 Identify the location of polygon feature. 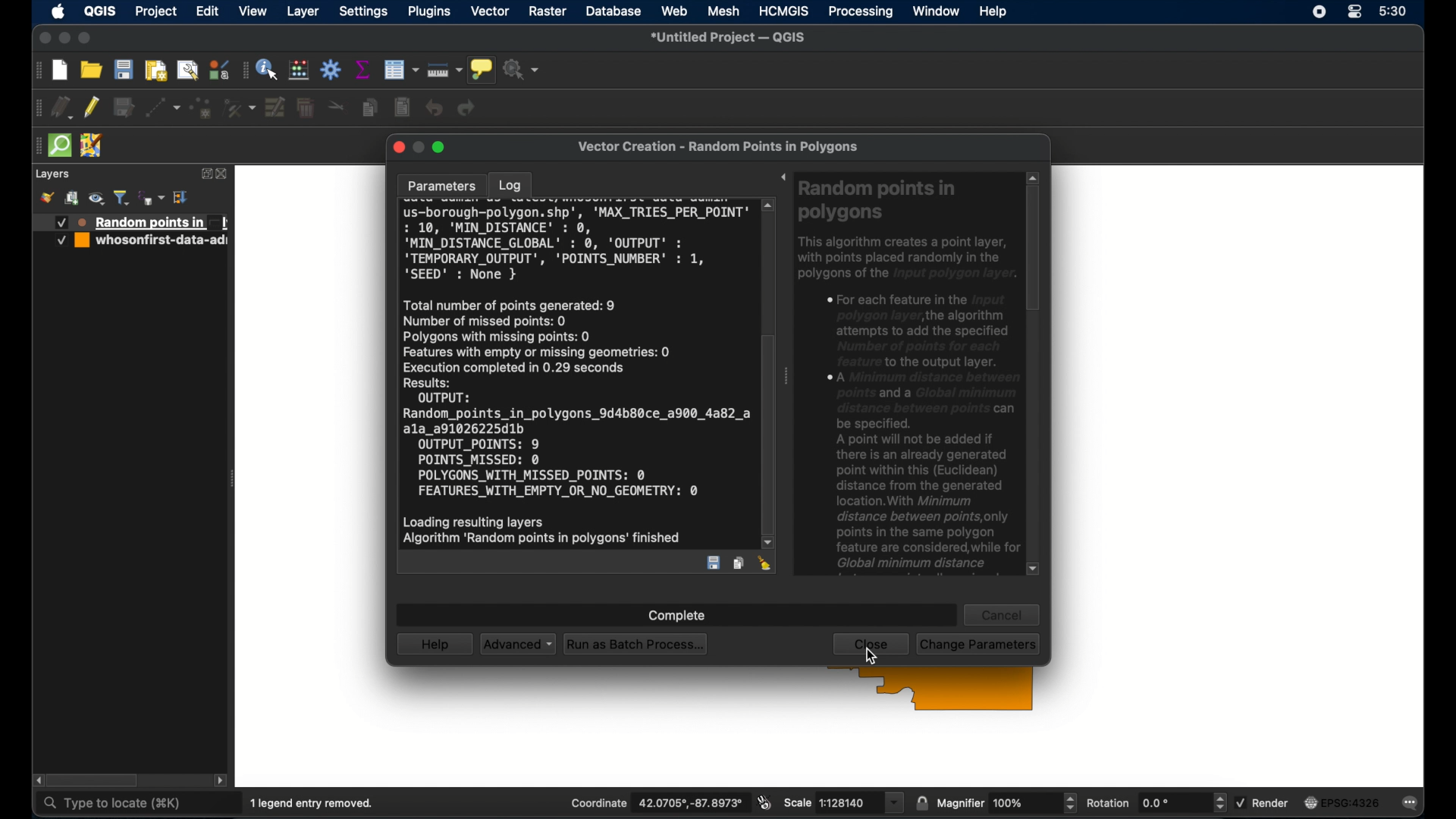
(200, 107).